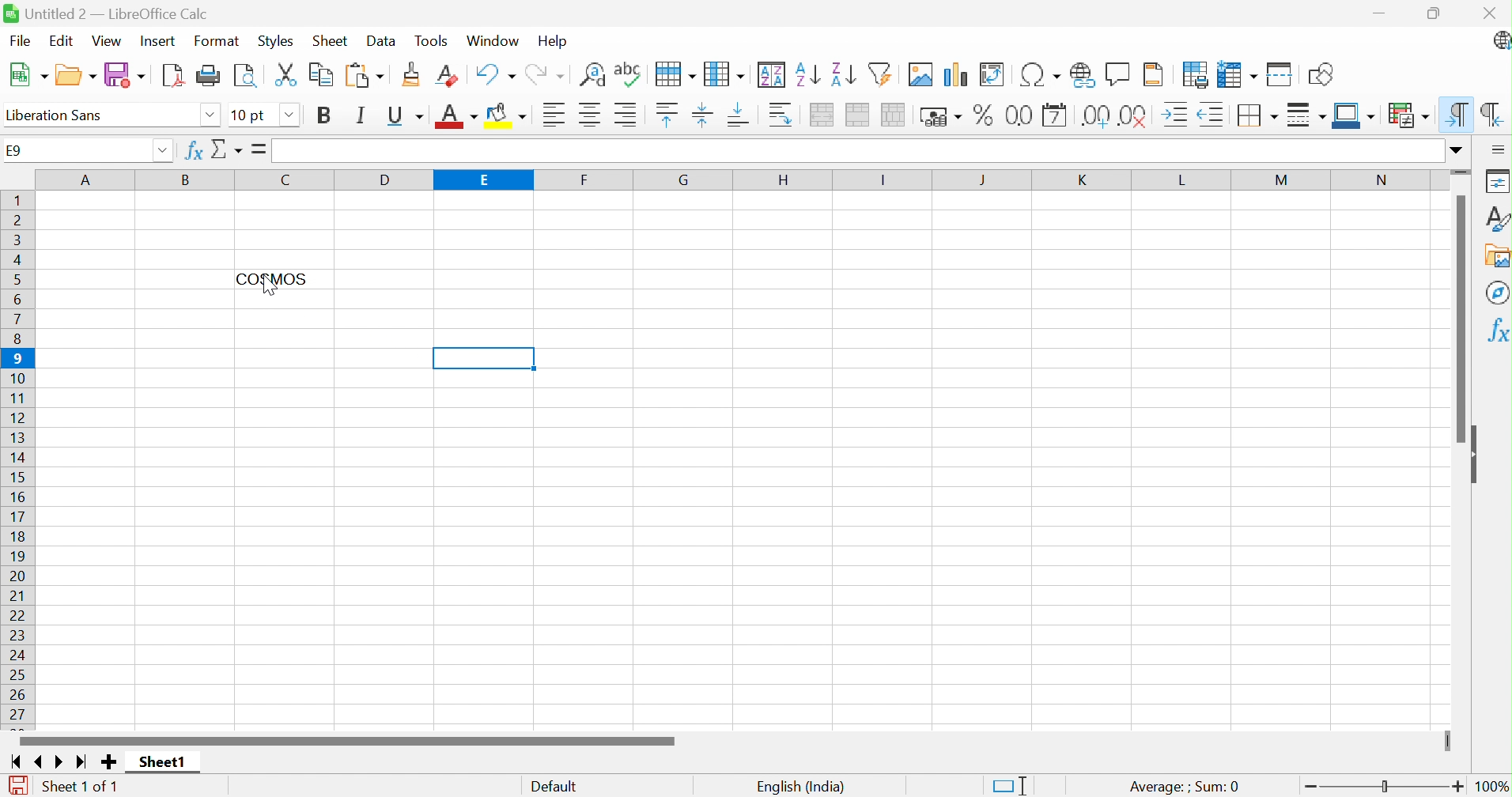  Describe the element at coordinates (1210, 115) in the screenshot. I see `Decrease indent` at that location.